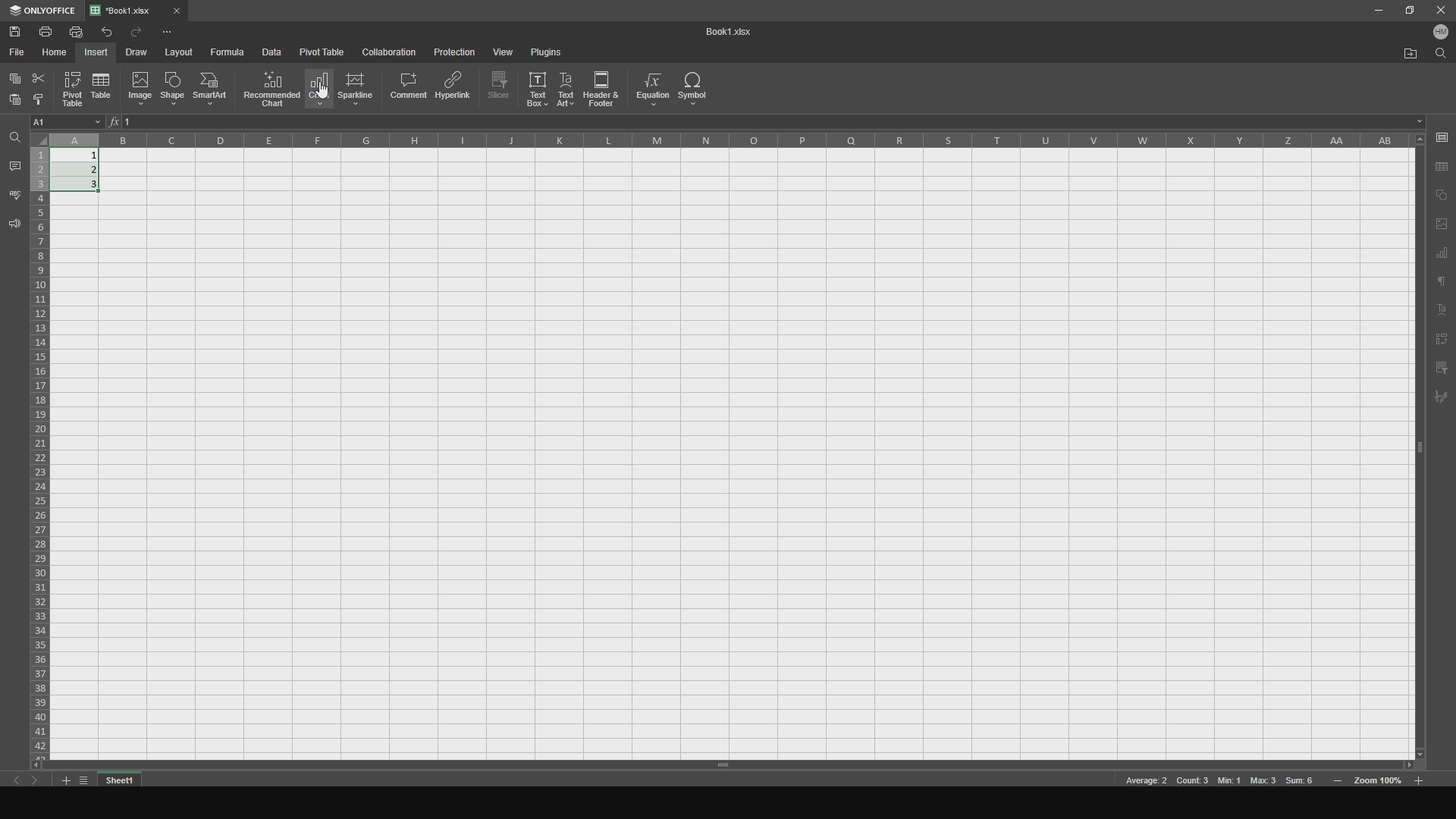  I want to click on smartart, so click(212, 89).